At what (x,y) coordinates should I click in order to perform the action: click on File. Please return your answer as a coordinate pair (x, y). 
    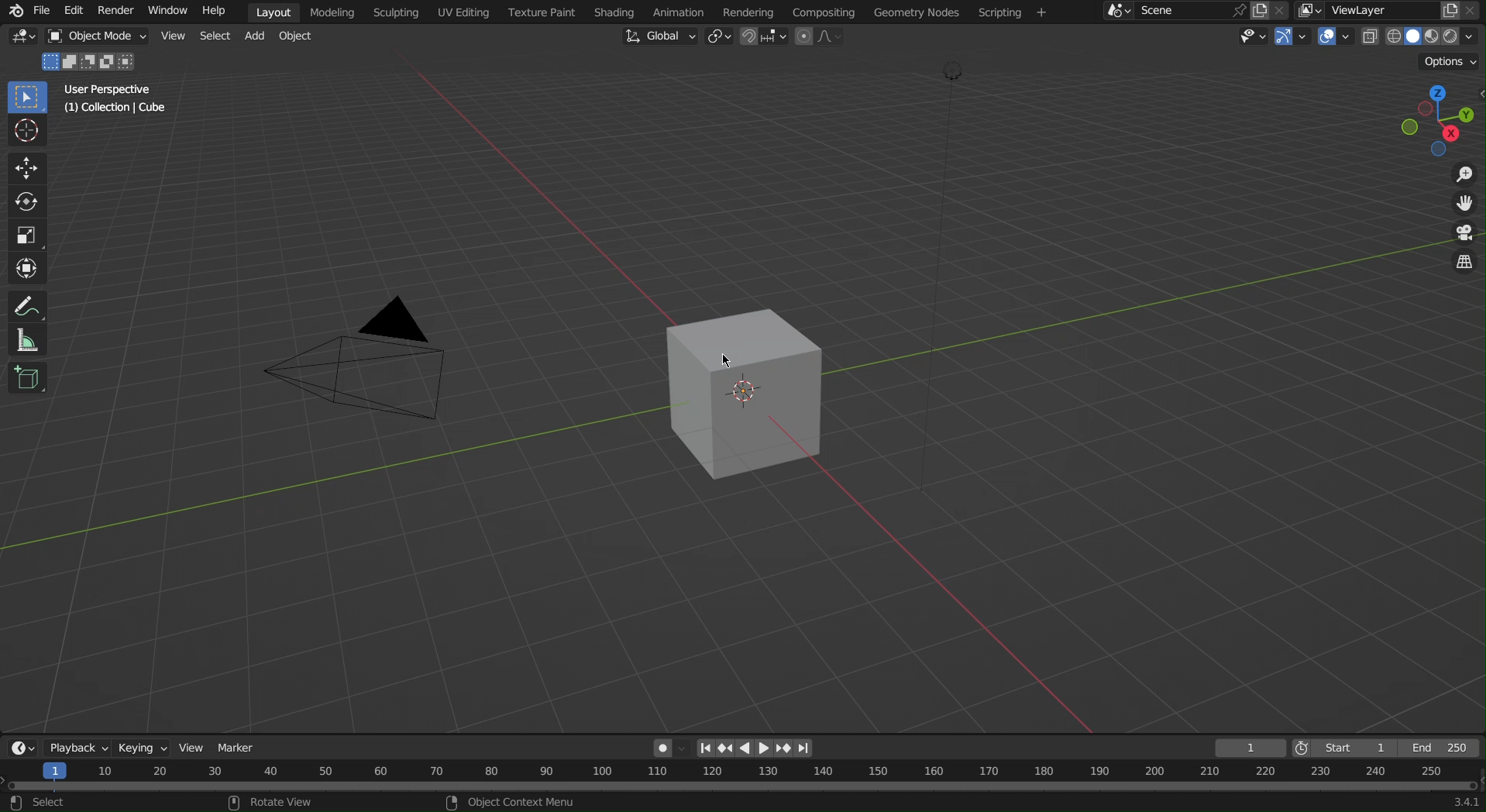
    Looking at the image, I should click on (41, 11).